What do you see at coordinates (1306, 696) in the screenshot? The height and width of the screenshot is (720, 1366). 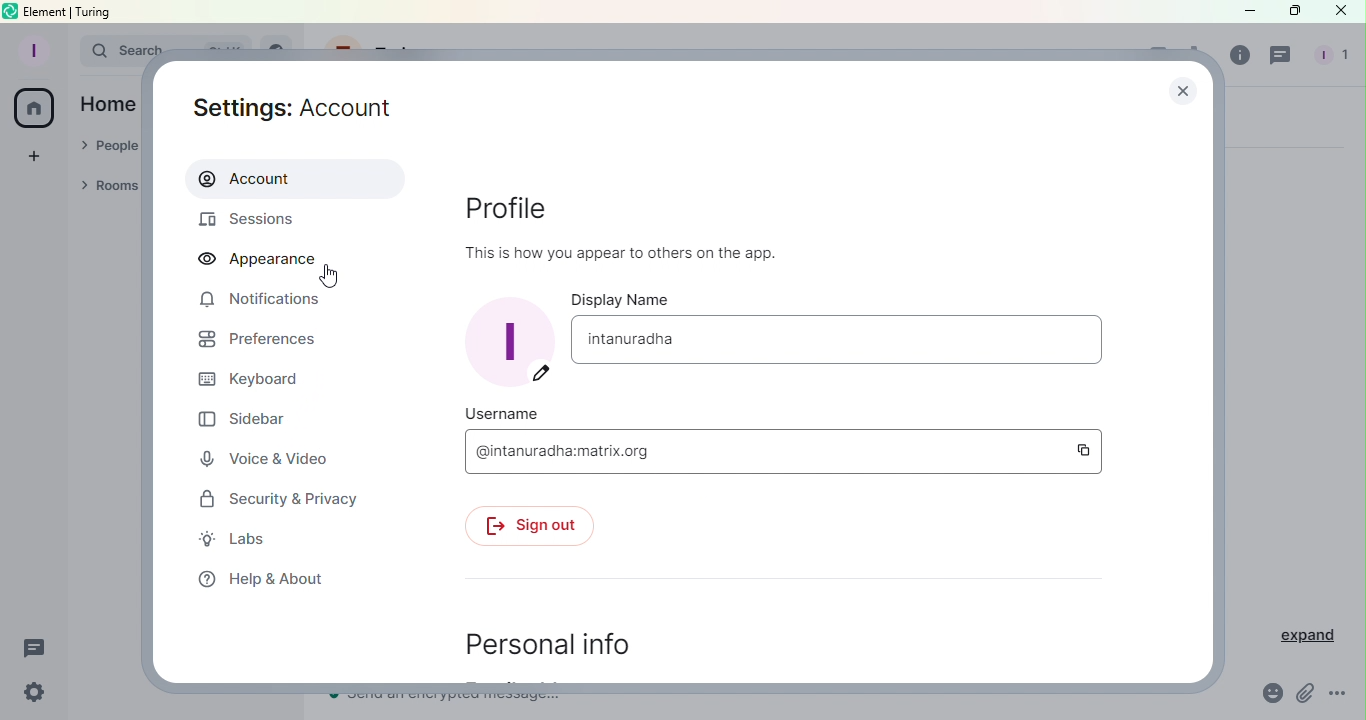 I see `Attachment` at bounding box center [1306, 696].